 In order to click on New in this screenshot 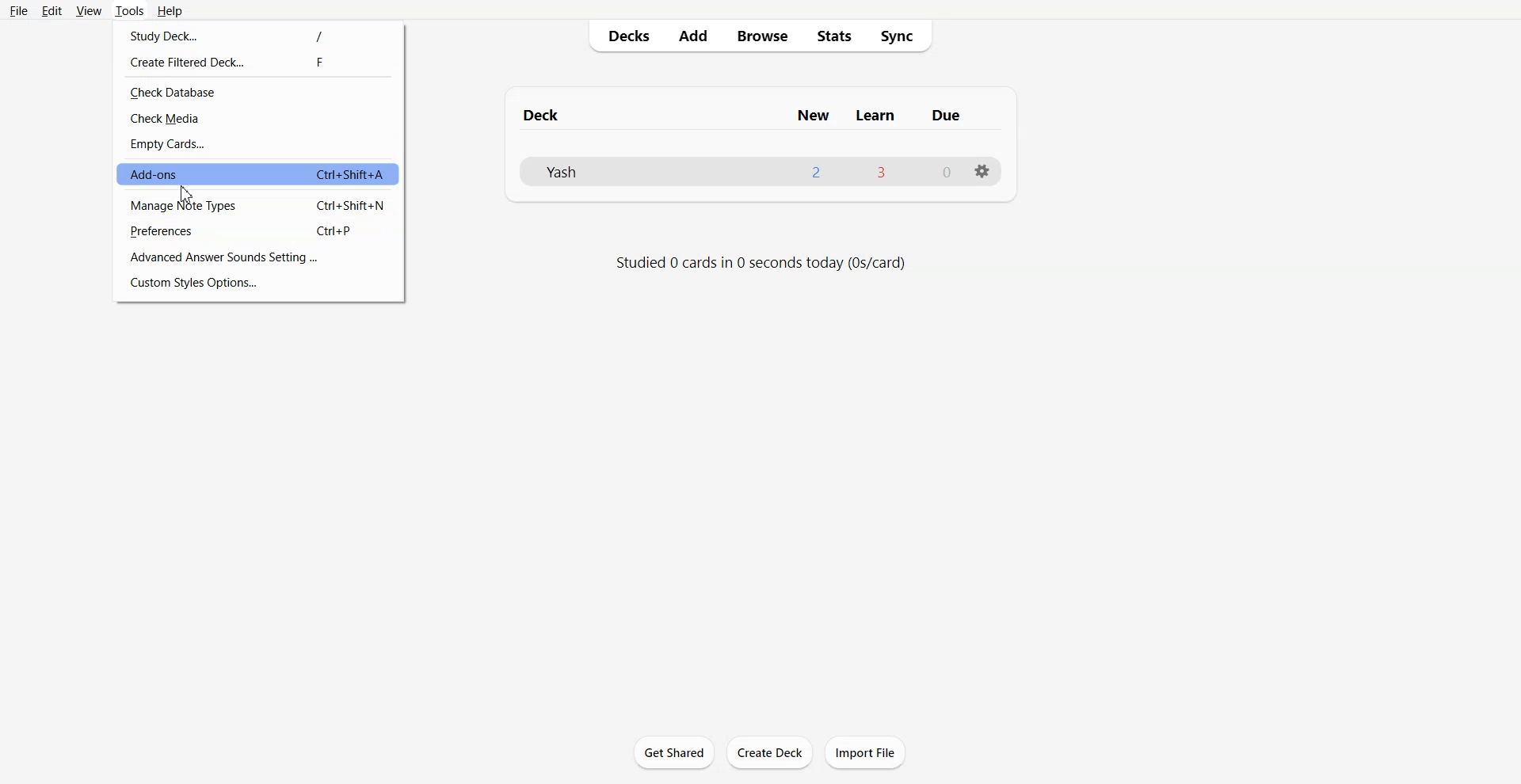, I will do `click(814, 116)`.